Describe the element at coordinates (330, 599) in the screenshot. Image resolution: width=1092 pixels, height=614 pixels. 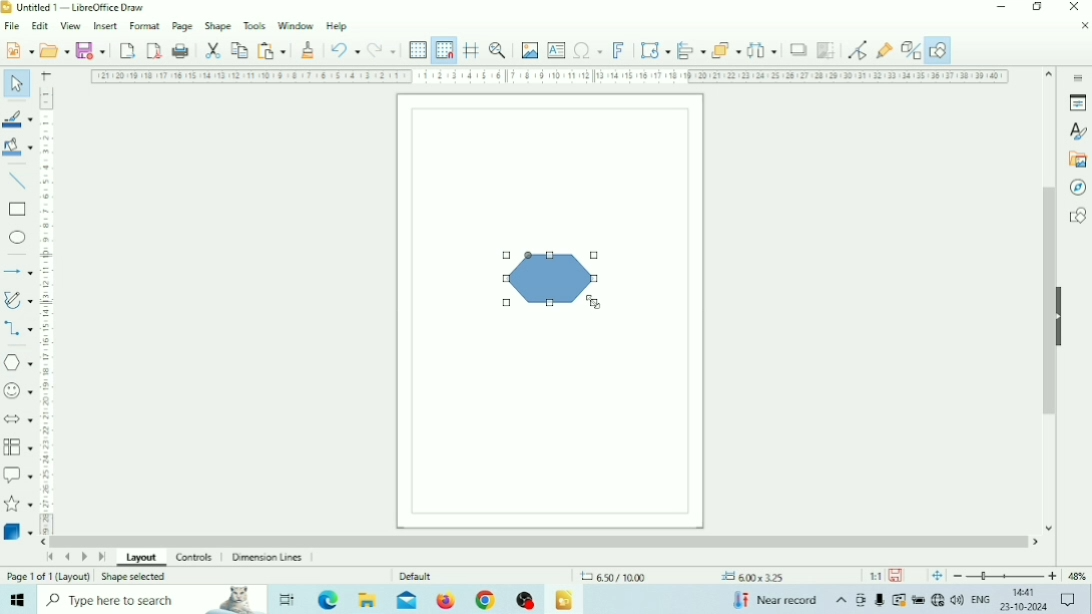
I see `Microsoft Edge` at that location.